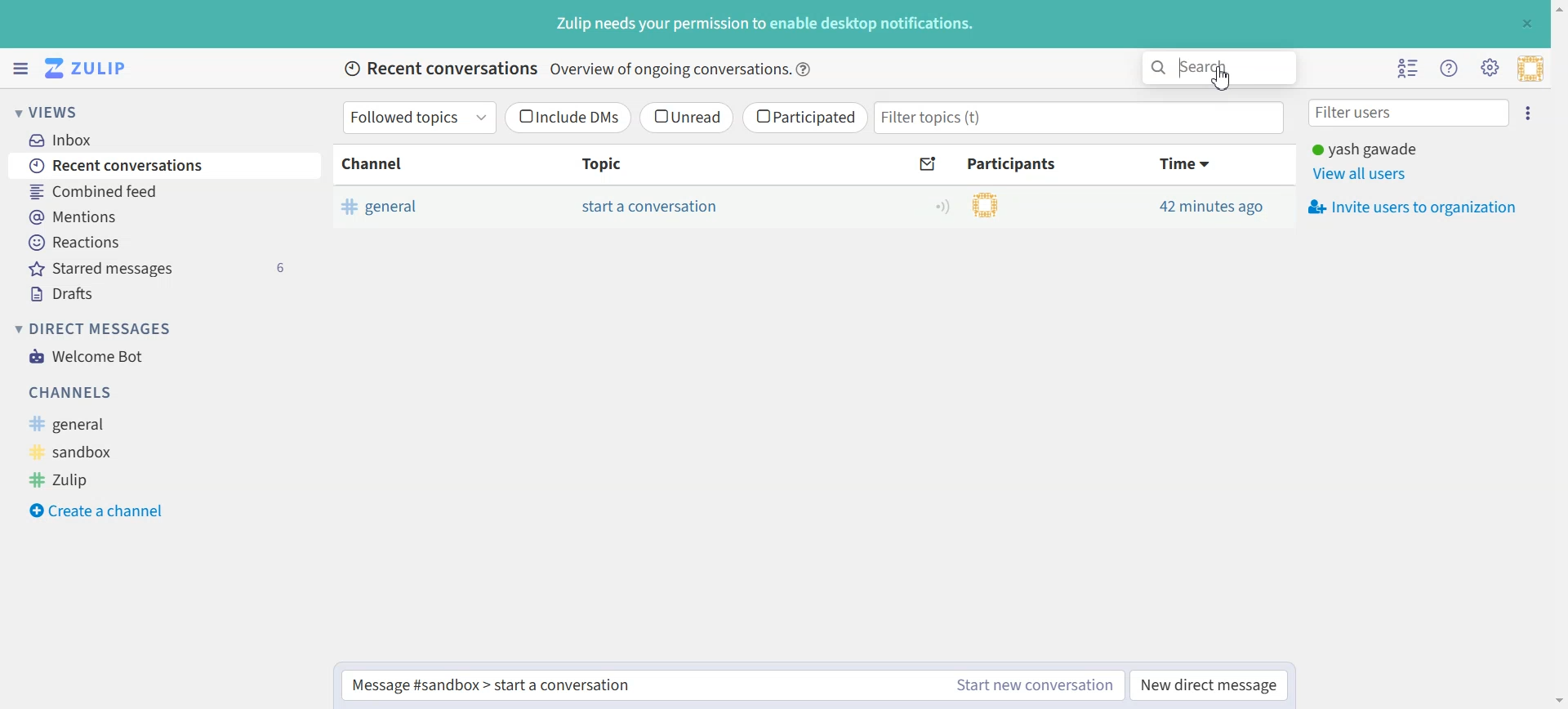  I want to click on Hide user list, so click(1410, 69).